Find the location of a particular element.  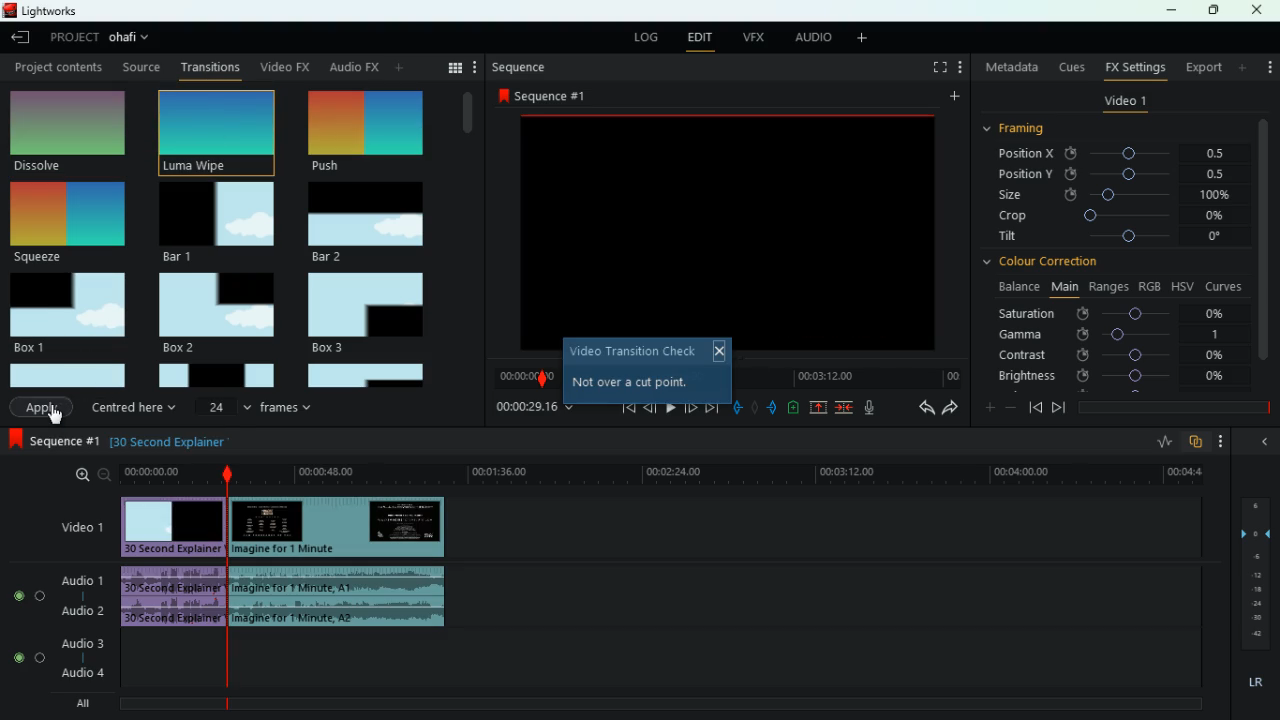

Apply is located at coordinates (42, 408).